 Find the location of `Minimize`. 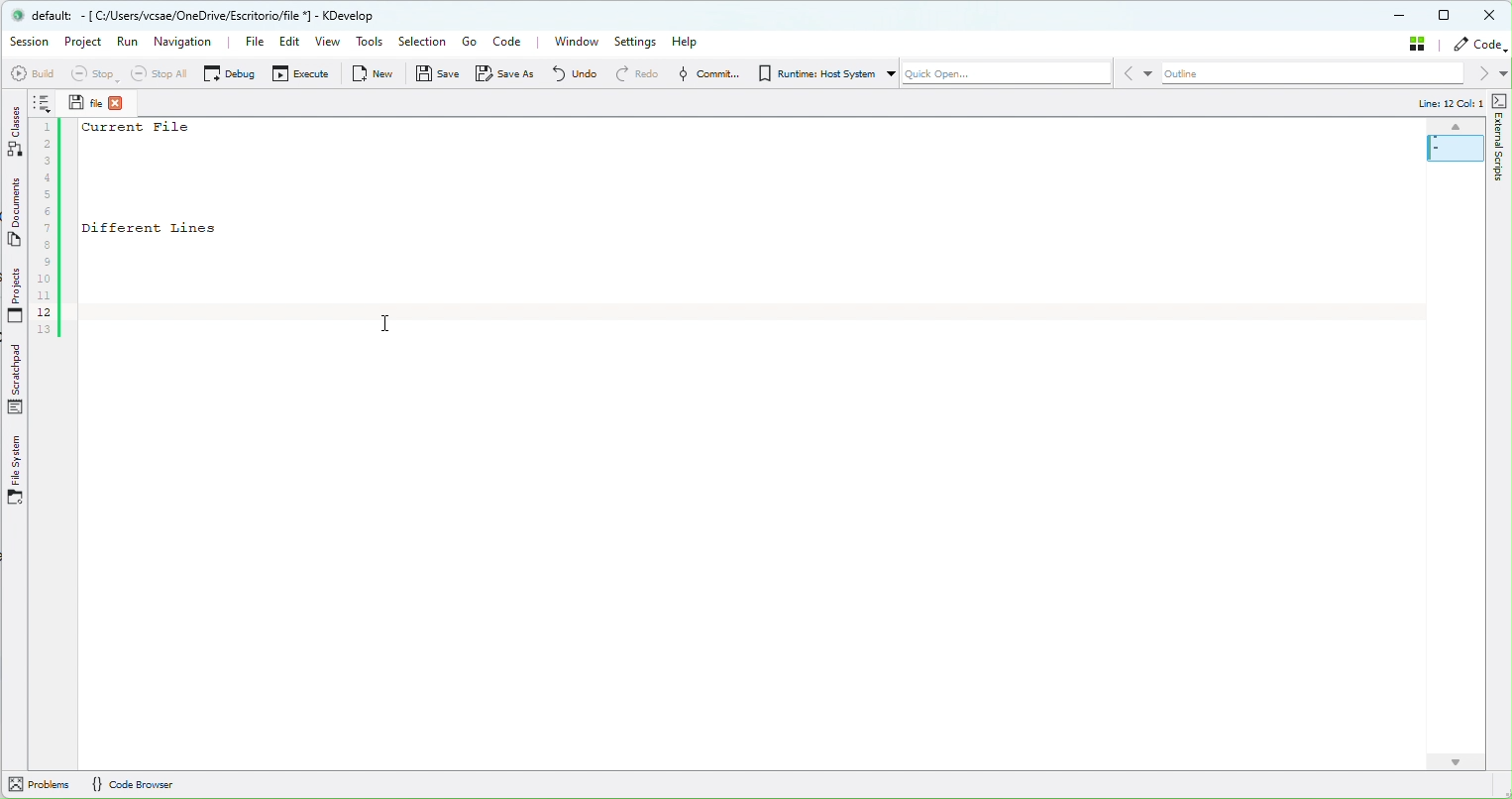

Minimize is located at coordinates (1394, 15).